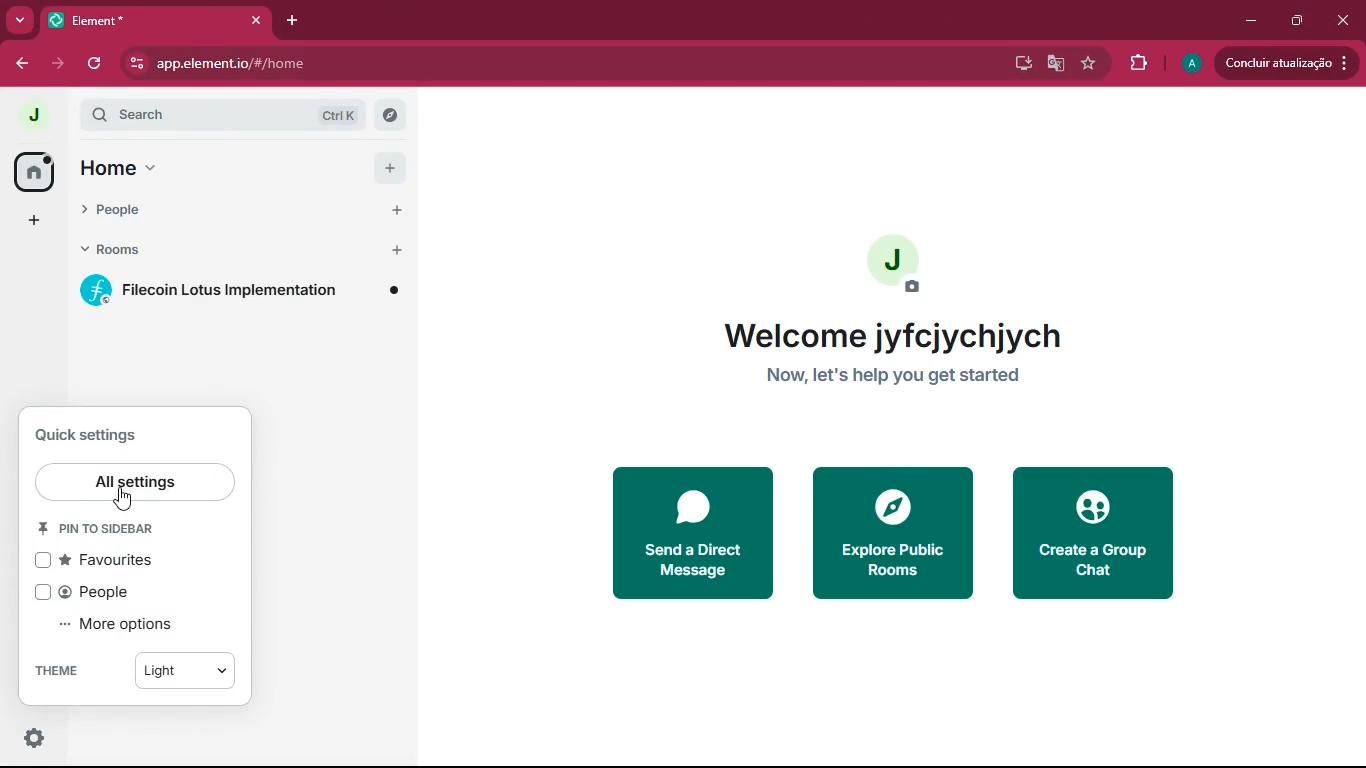  Describe the element at coordinates (220, 208) in the screenshot. I see `people` at that location.